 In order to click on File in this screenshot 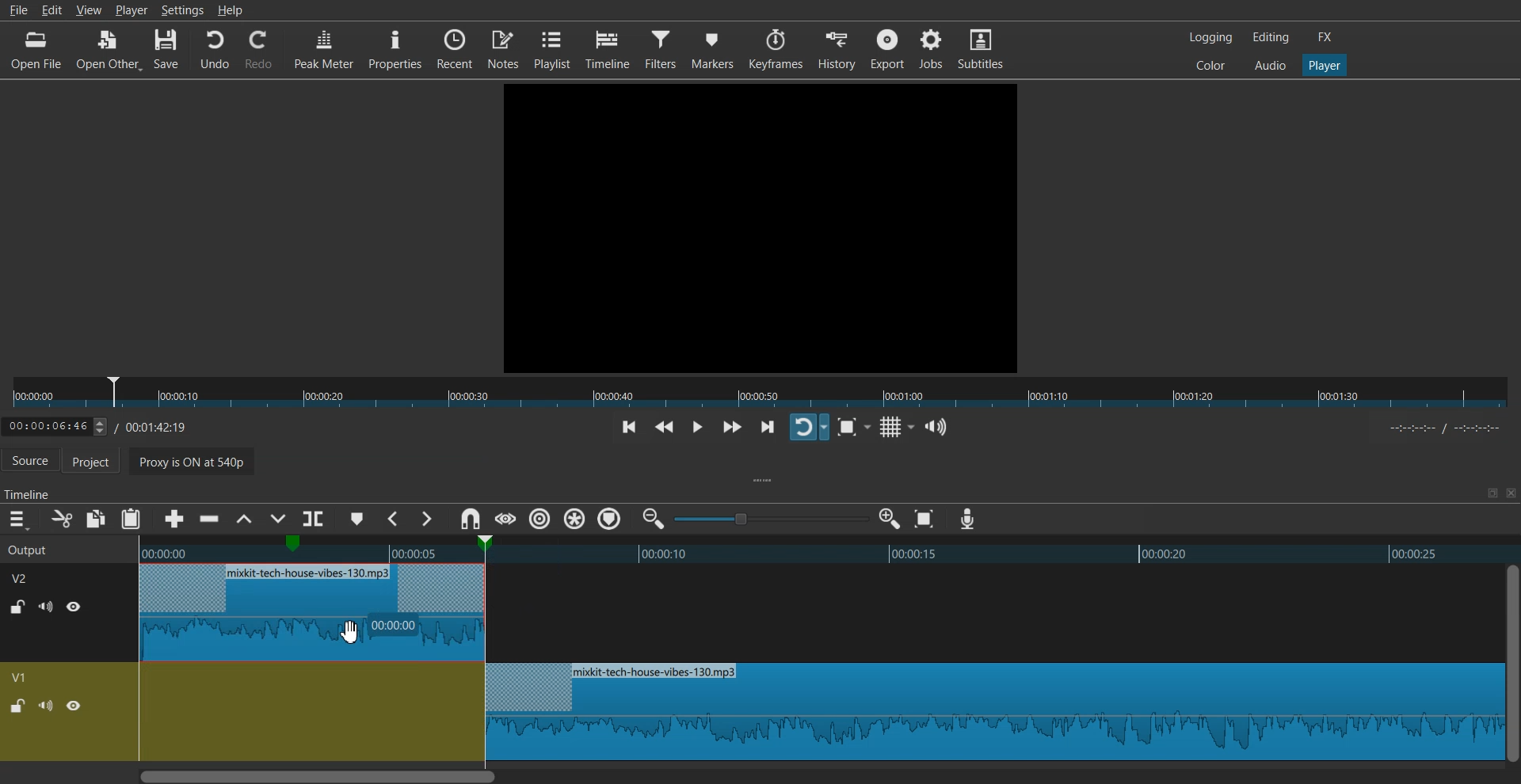, I will do `click(17, 10)`.